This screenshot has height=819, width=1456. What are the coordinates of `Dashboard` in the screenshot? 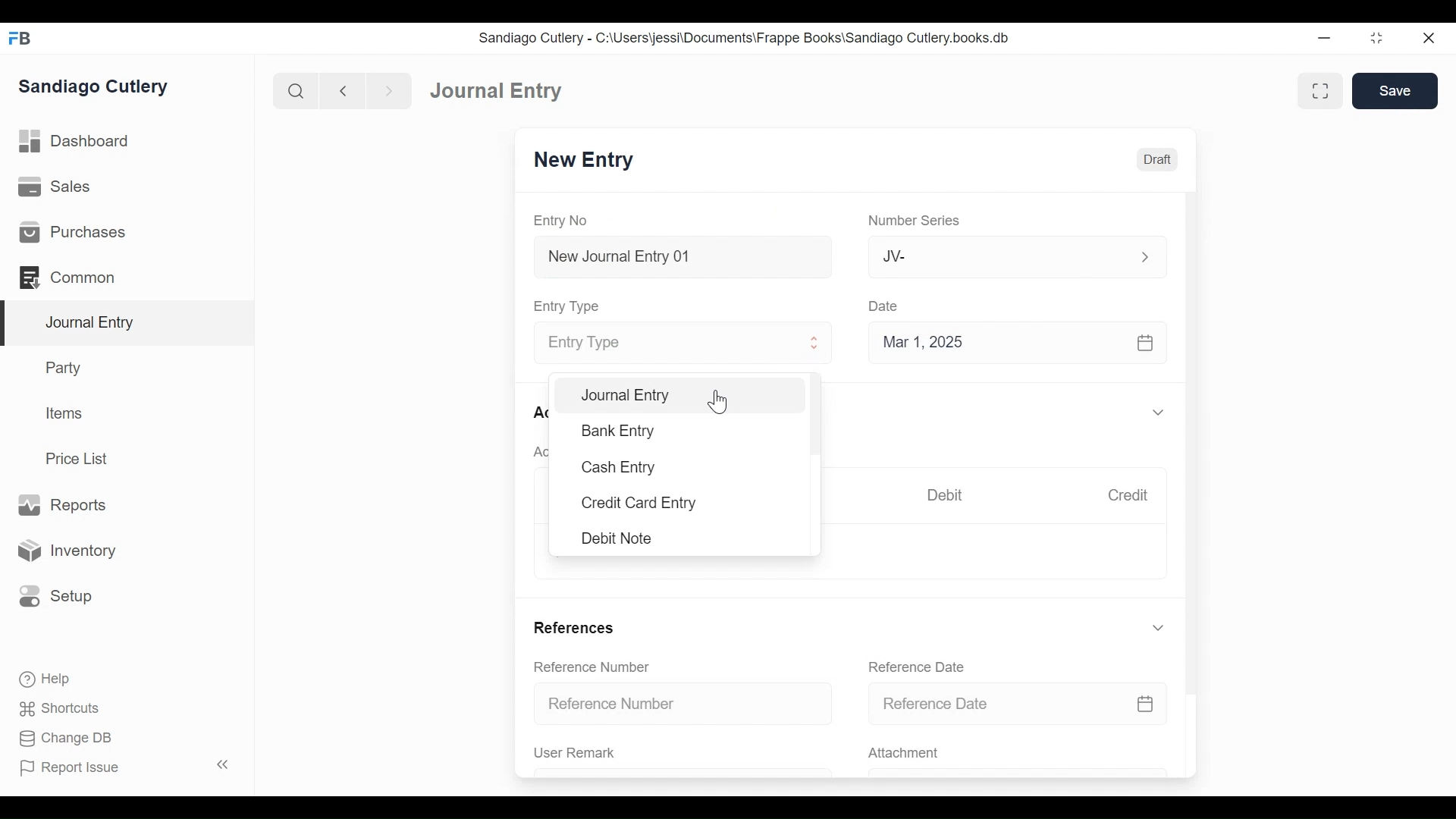 It's located at (491, 89).